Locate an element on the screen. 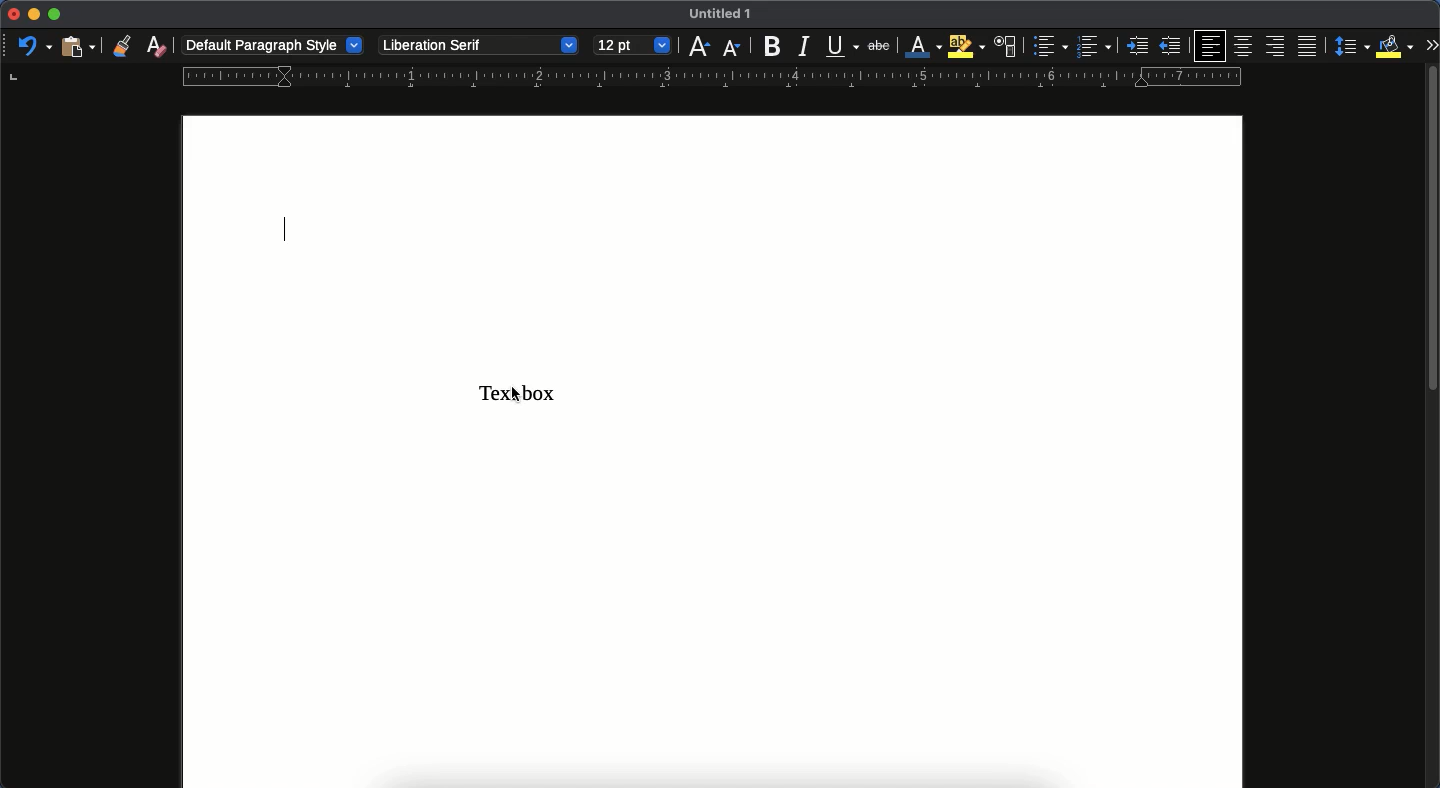  expand is located at coordinates (1431, 44).